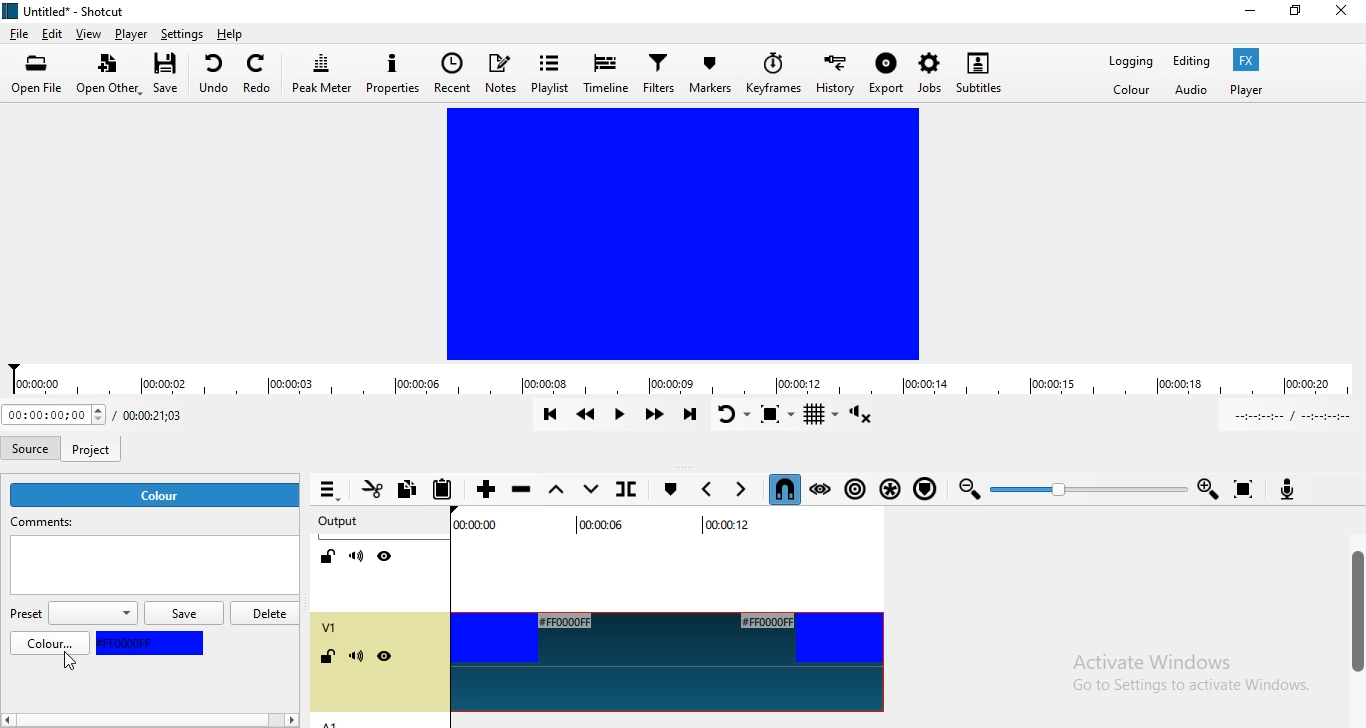  I want to click on Save, so click(172, 74).